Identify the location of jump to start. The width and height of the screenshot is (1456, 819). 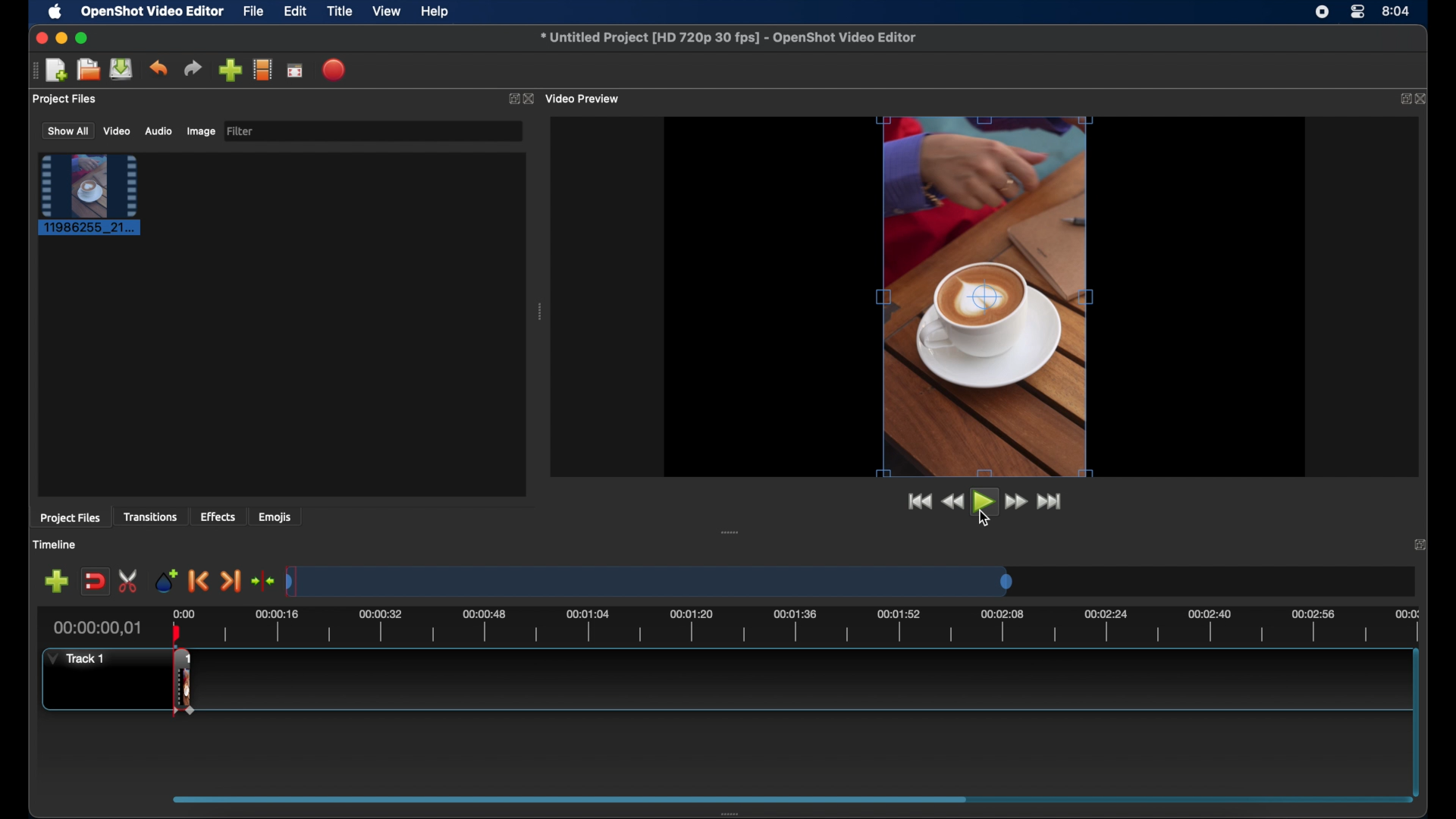
(919, 501).